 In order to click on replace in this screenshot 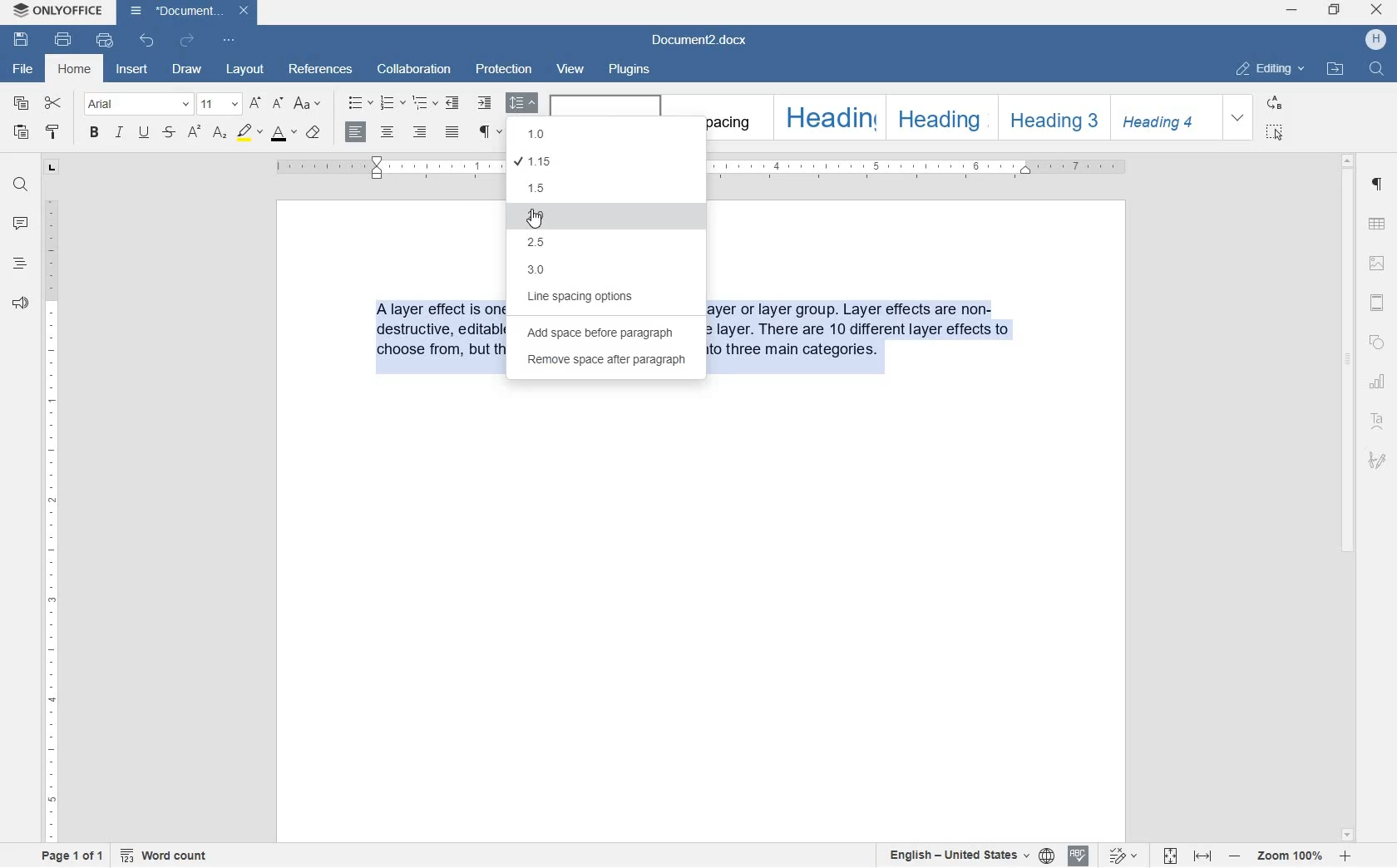, I will do `click(1276, 104)`.